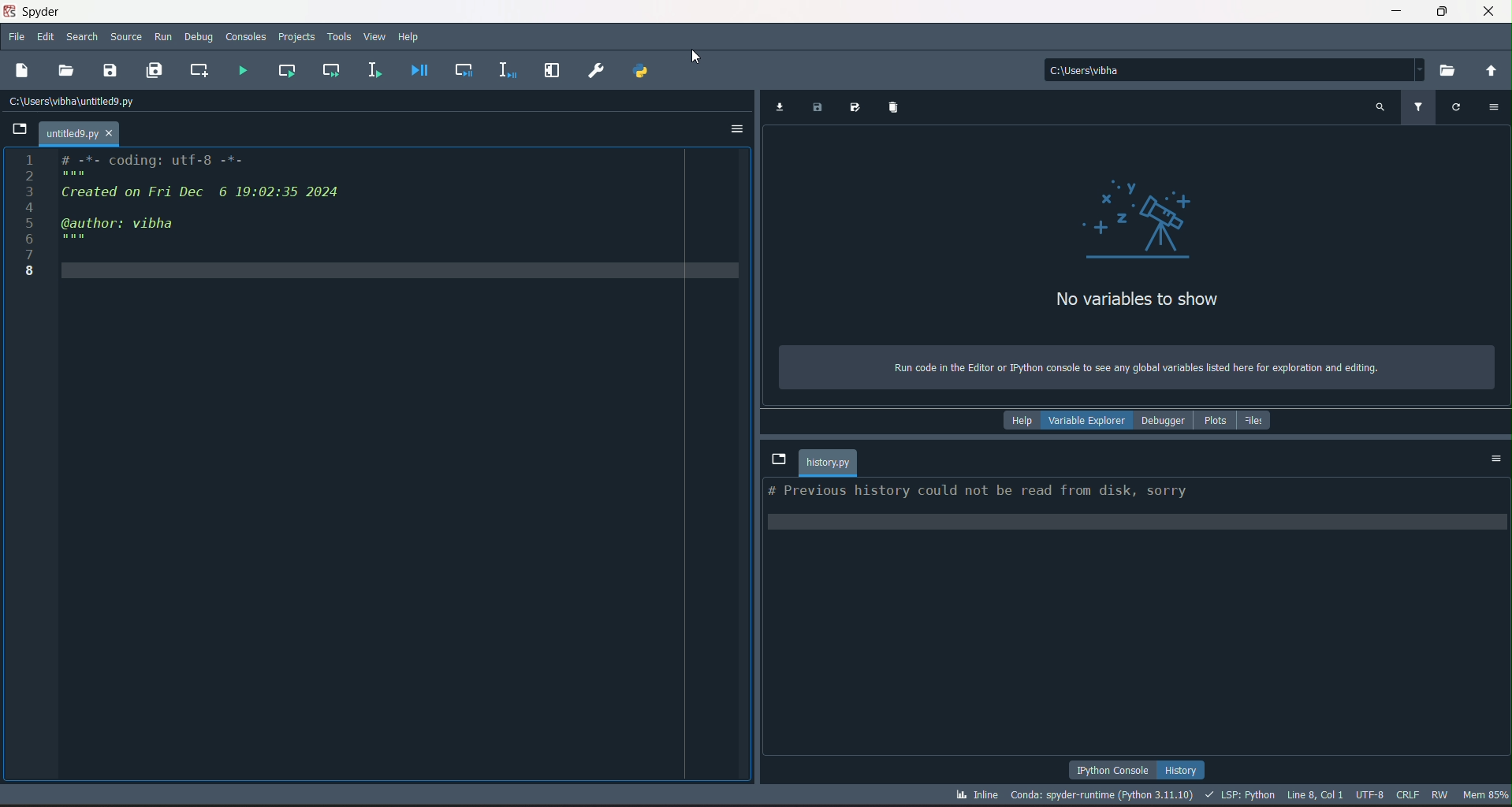  What do you see at coordinates (1492, 109) in the screenshot?
I see `options` at bounding box center [1492, 109].